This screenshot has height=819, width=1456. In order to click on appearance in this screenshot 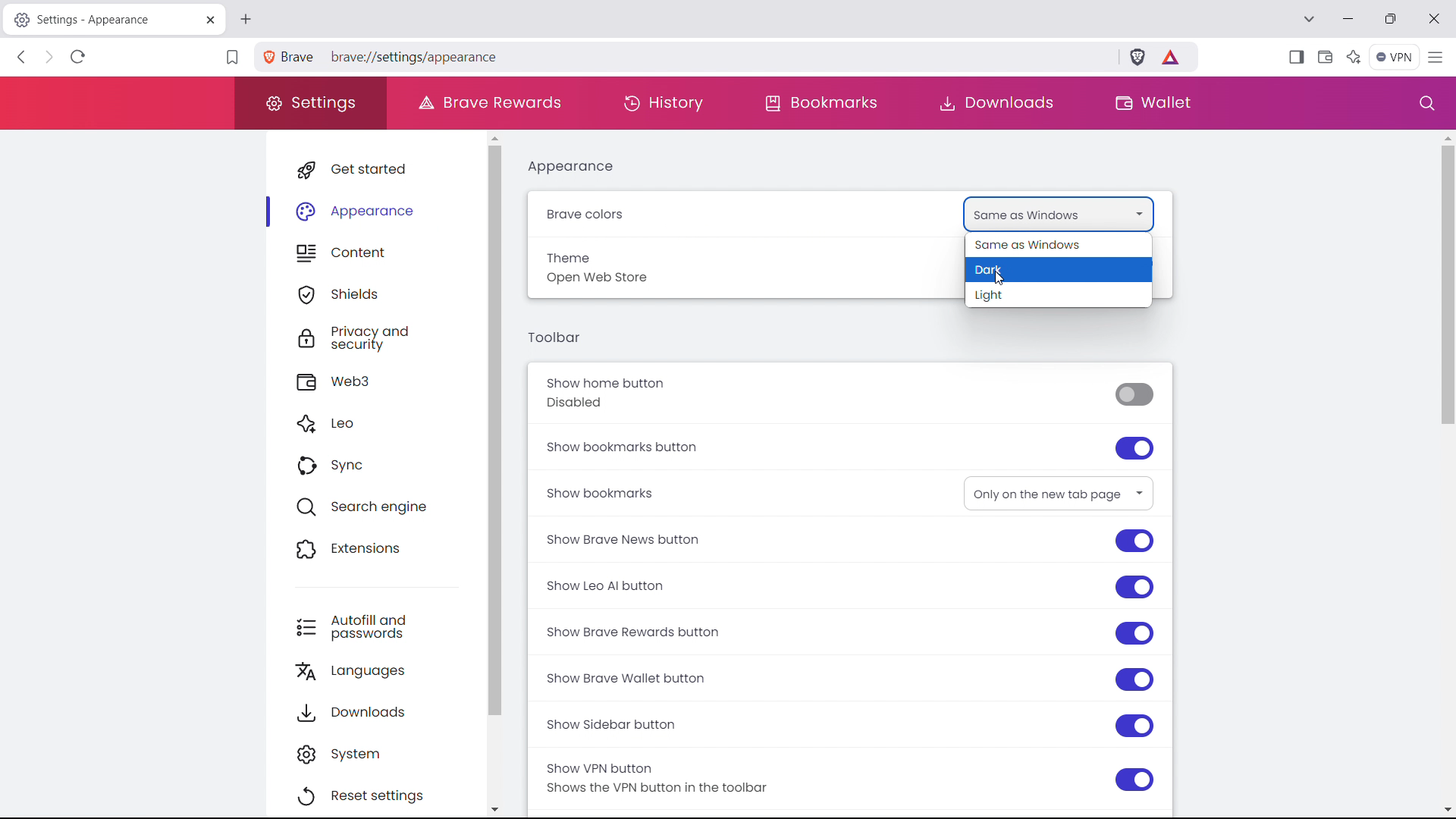, I will do `click(571, 168)`.